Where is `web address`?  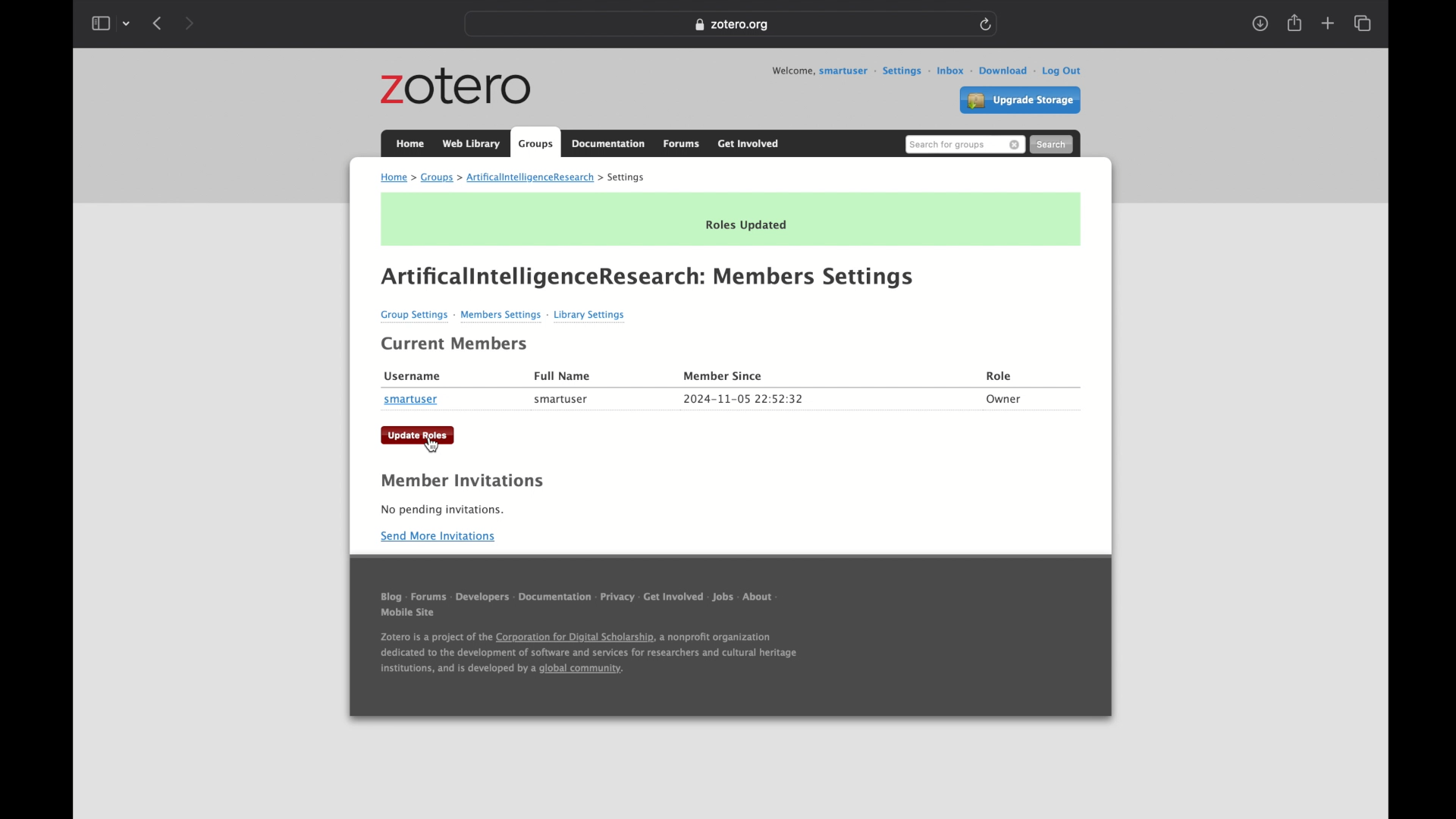
web address is located at coordinates (730, 25).